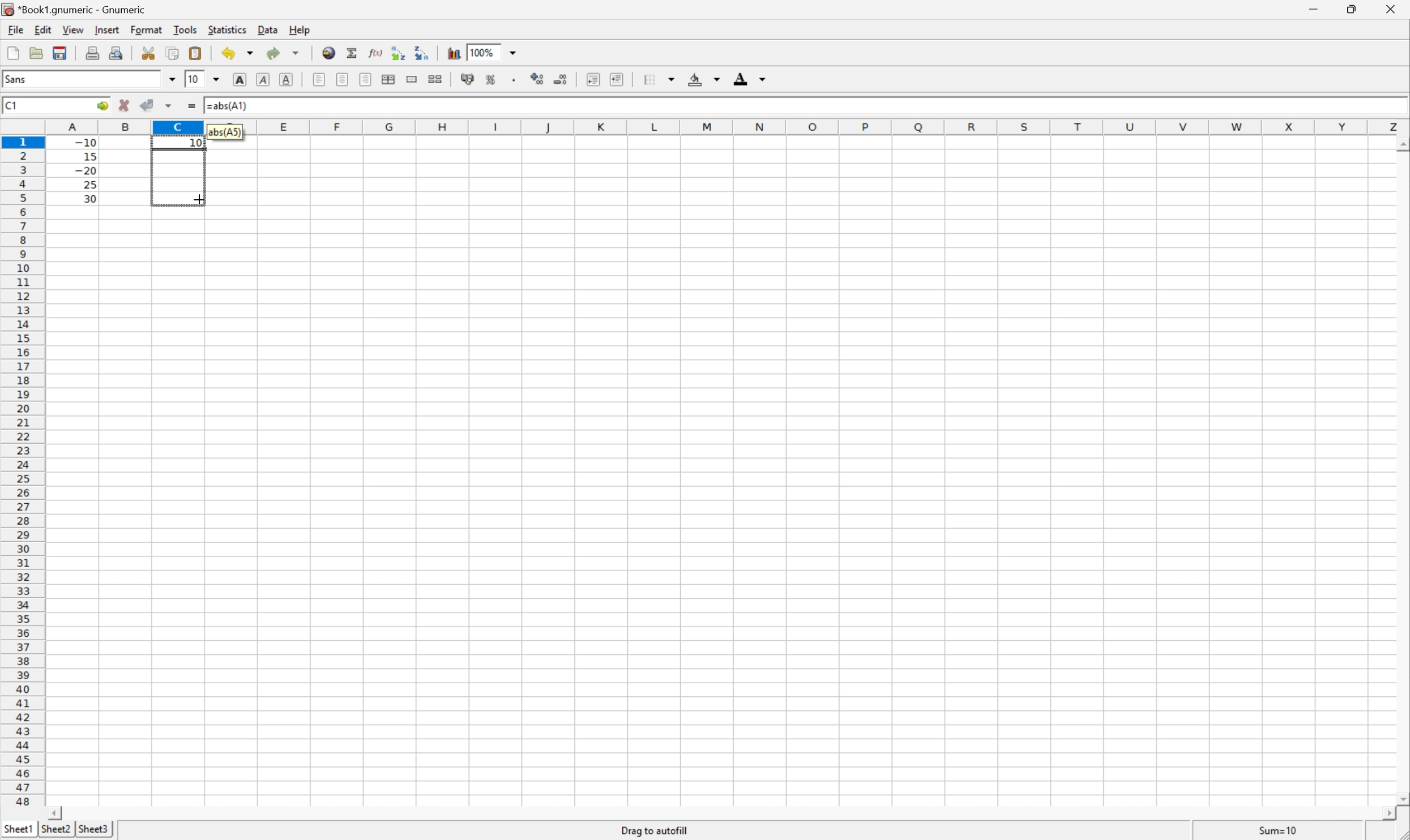  What do you see at coordinates (58, 53) in the screenshot?
I see `Open mobile file` at bounding box center [58, 53].